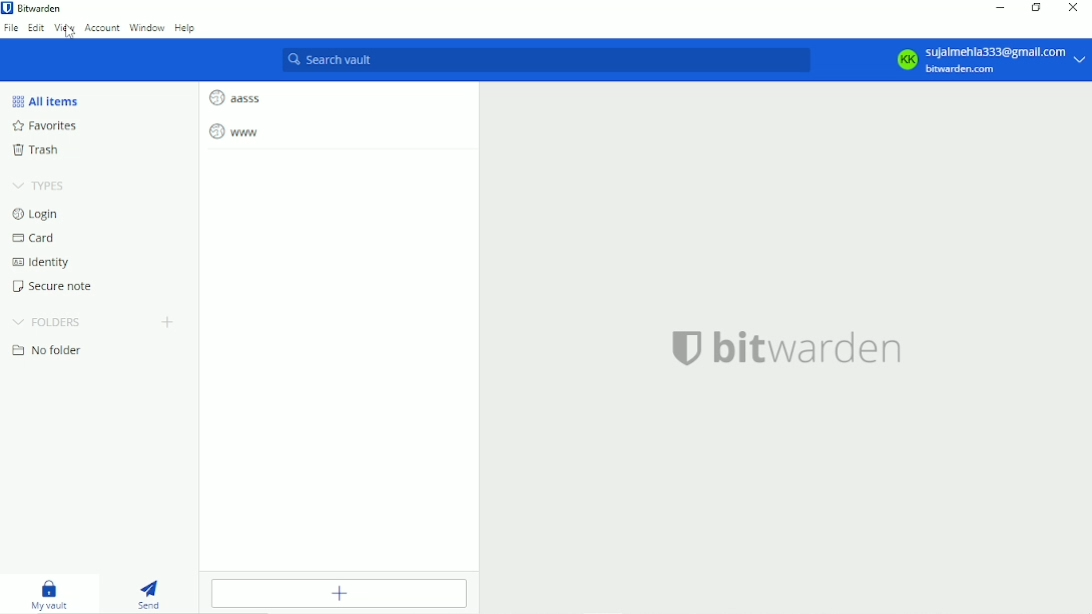 This screenshot has height=614, width=1092. I want to click on Favorites, so click(48, 126).